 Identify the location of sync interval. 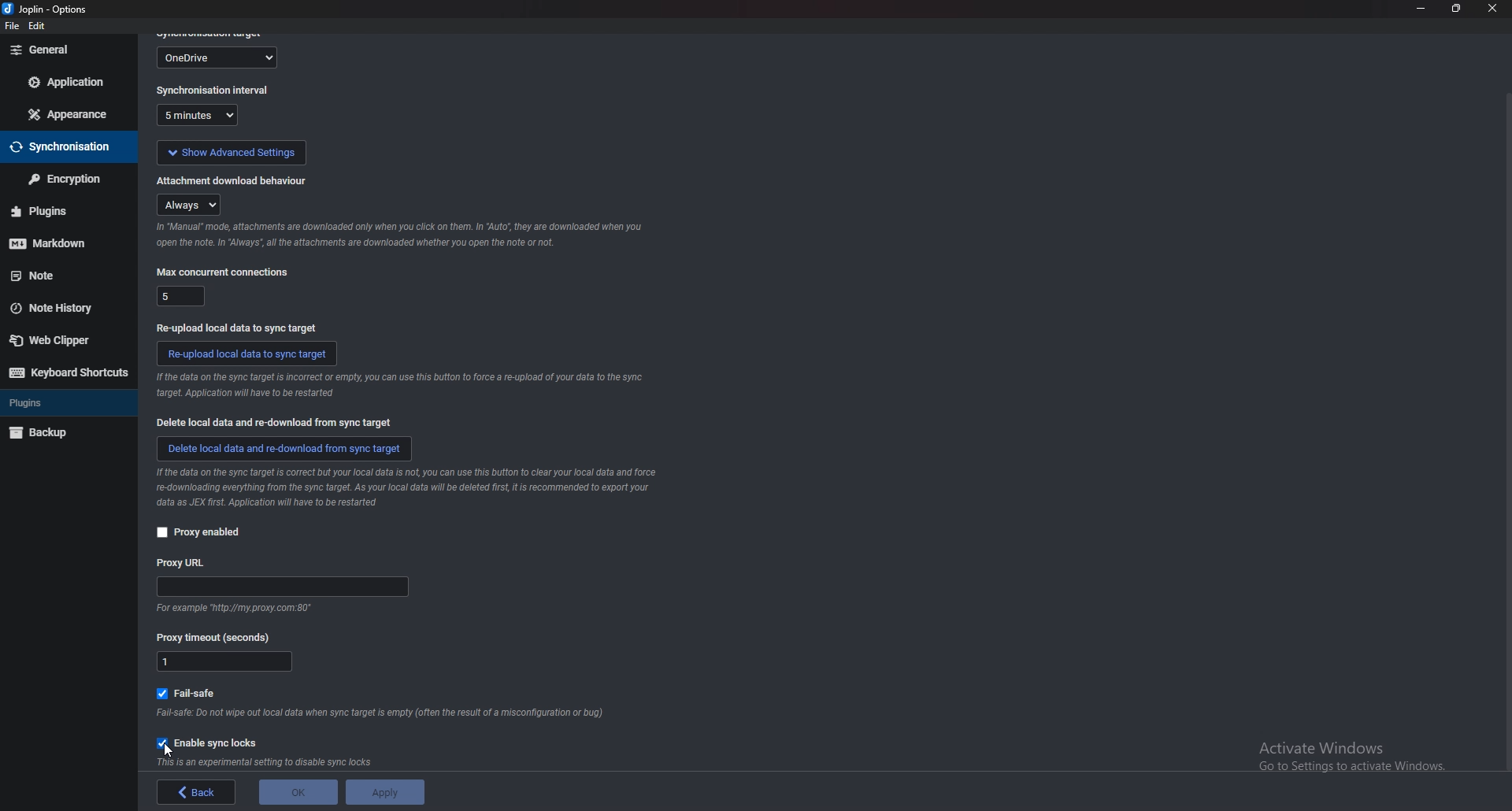
(202, 117).